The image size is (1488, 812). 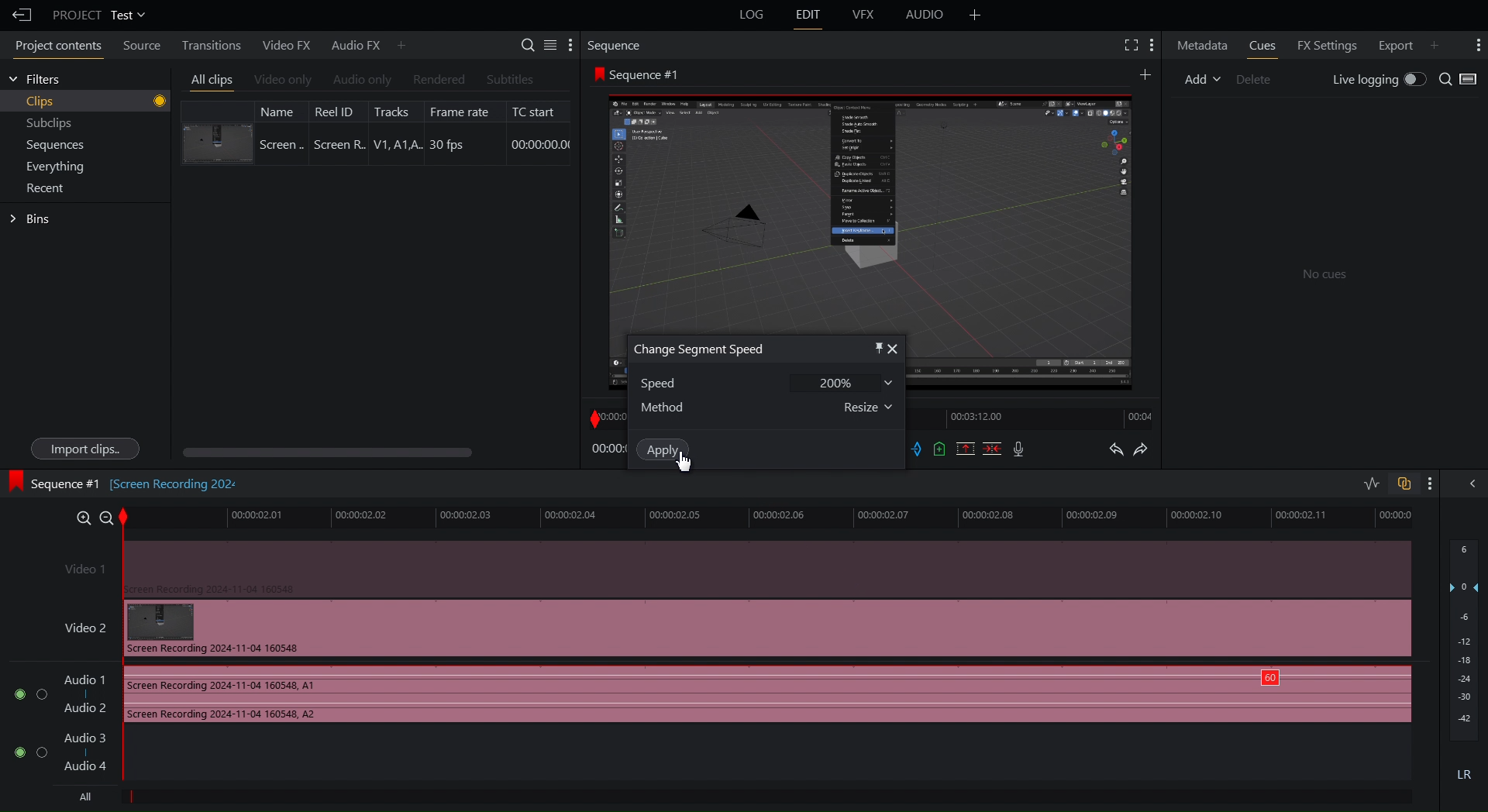 What do you see at coordinates (33, 219) in the screenshot?
I see `Bins` at bounding box center [33, 219].